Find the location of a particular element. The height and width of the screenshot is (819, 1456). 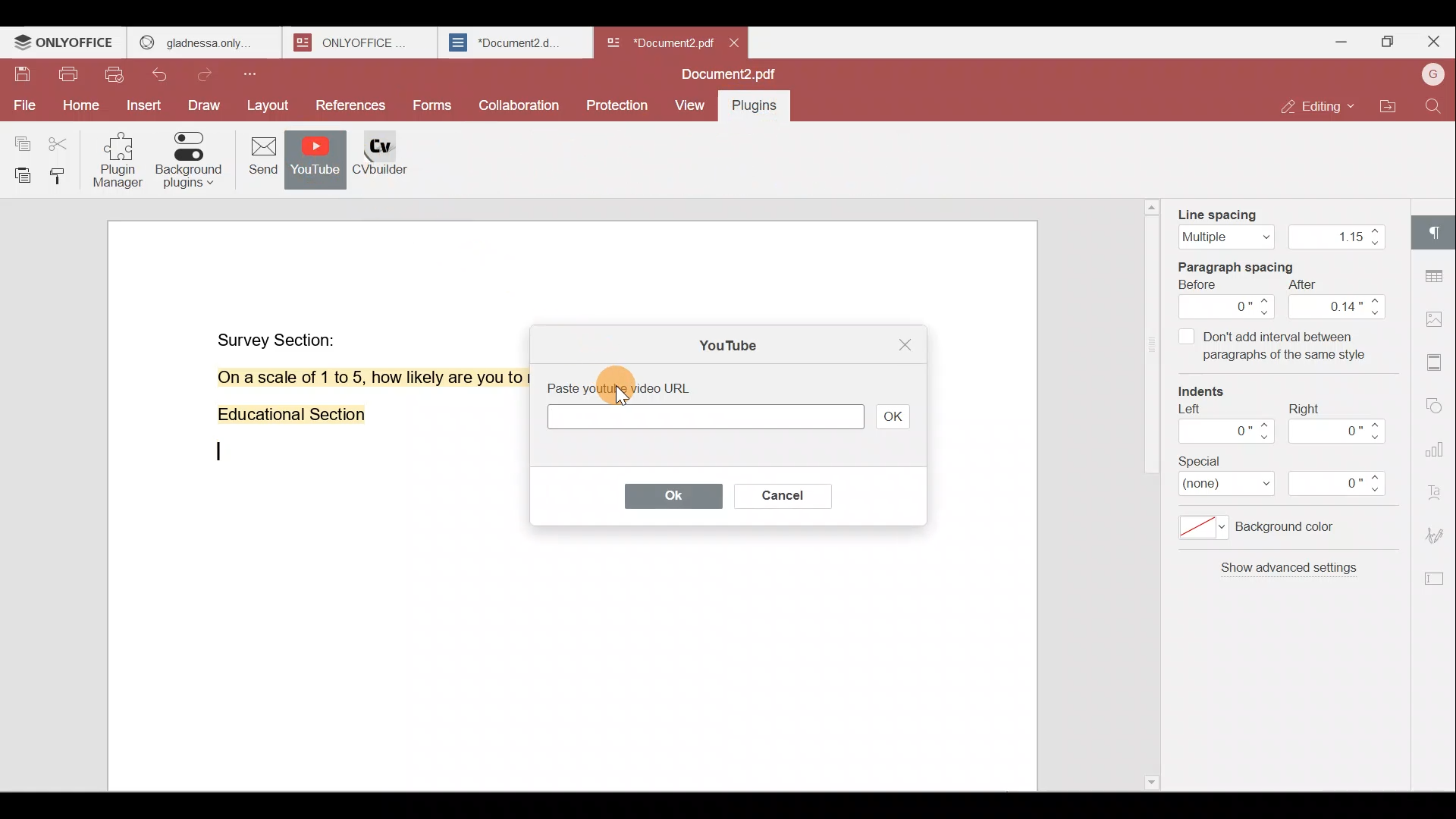

Close is located at coordinates (1433, 42).